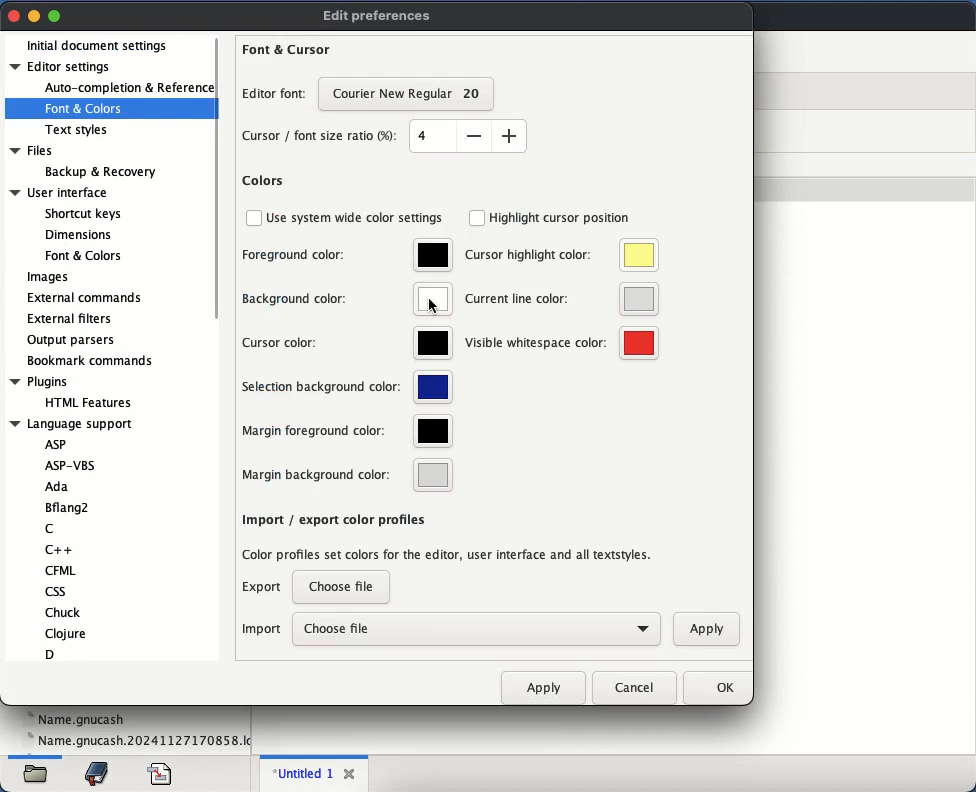 Image resolution: width=976 pixels, height=792 pixels. What do you see at coordinates (82, 257) in the screenshot?
I see `Font & Colors` at bounding box center [82, 257].